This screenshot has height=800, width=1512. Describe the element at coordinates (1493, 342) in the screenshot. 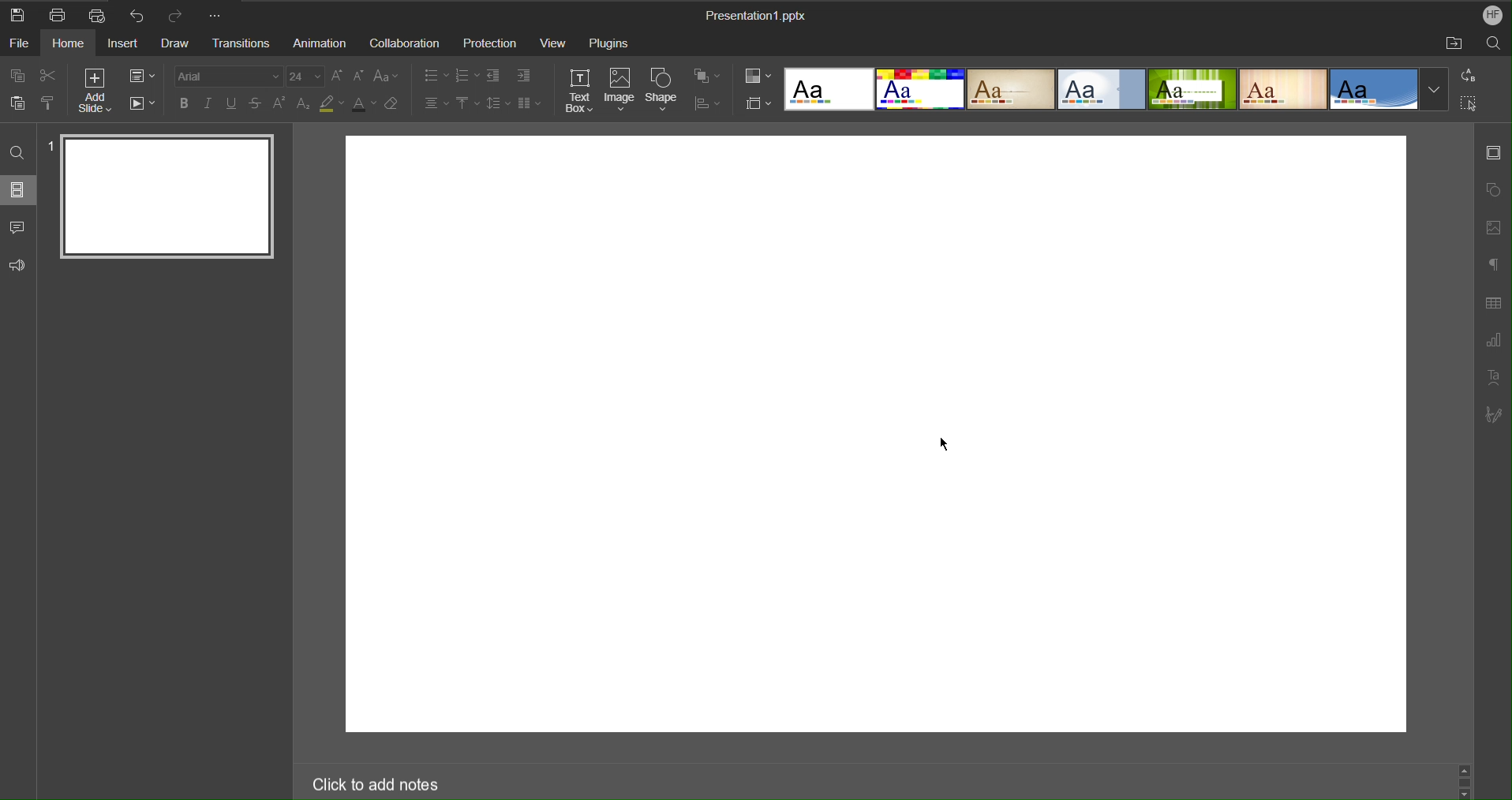

I see `Graph Settings` at that location.